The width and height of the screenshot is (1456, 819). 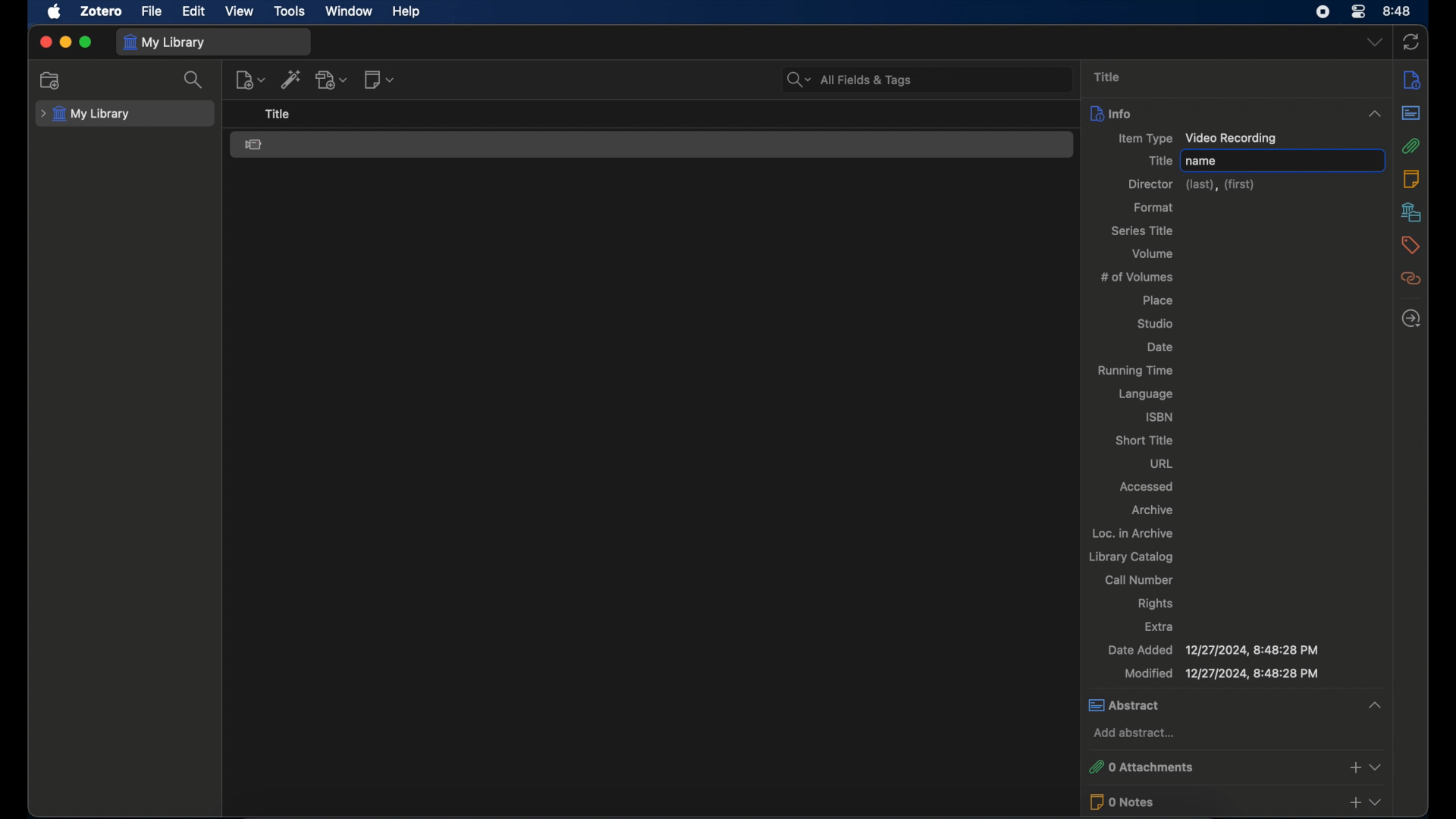 I want to click on search dropdown, so click(x=799, y=80).